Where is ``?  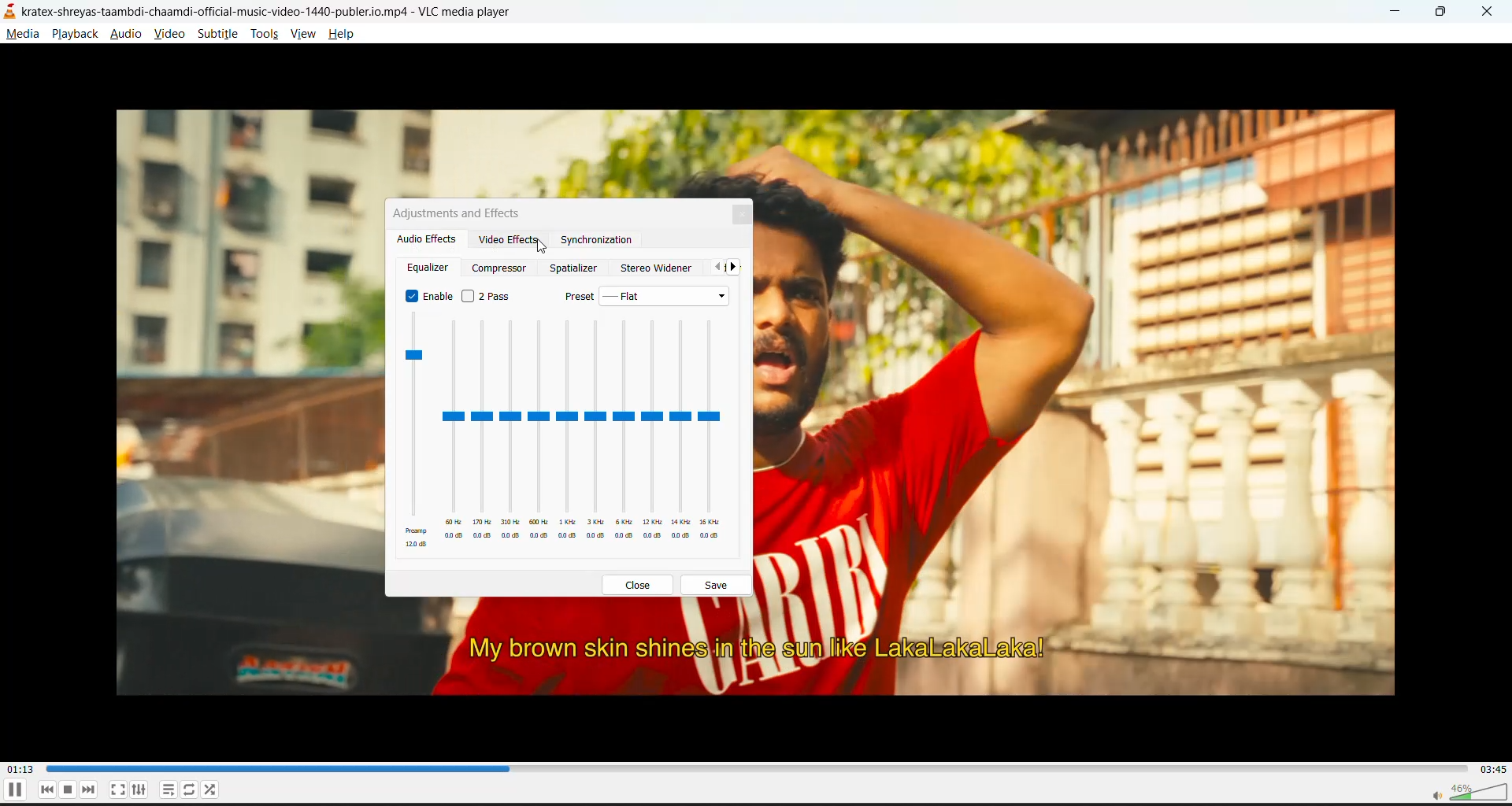
 is located at coordinates (484, 441).